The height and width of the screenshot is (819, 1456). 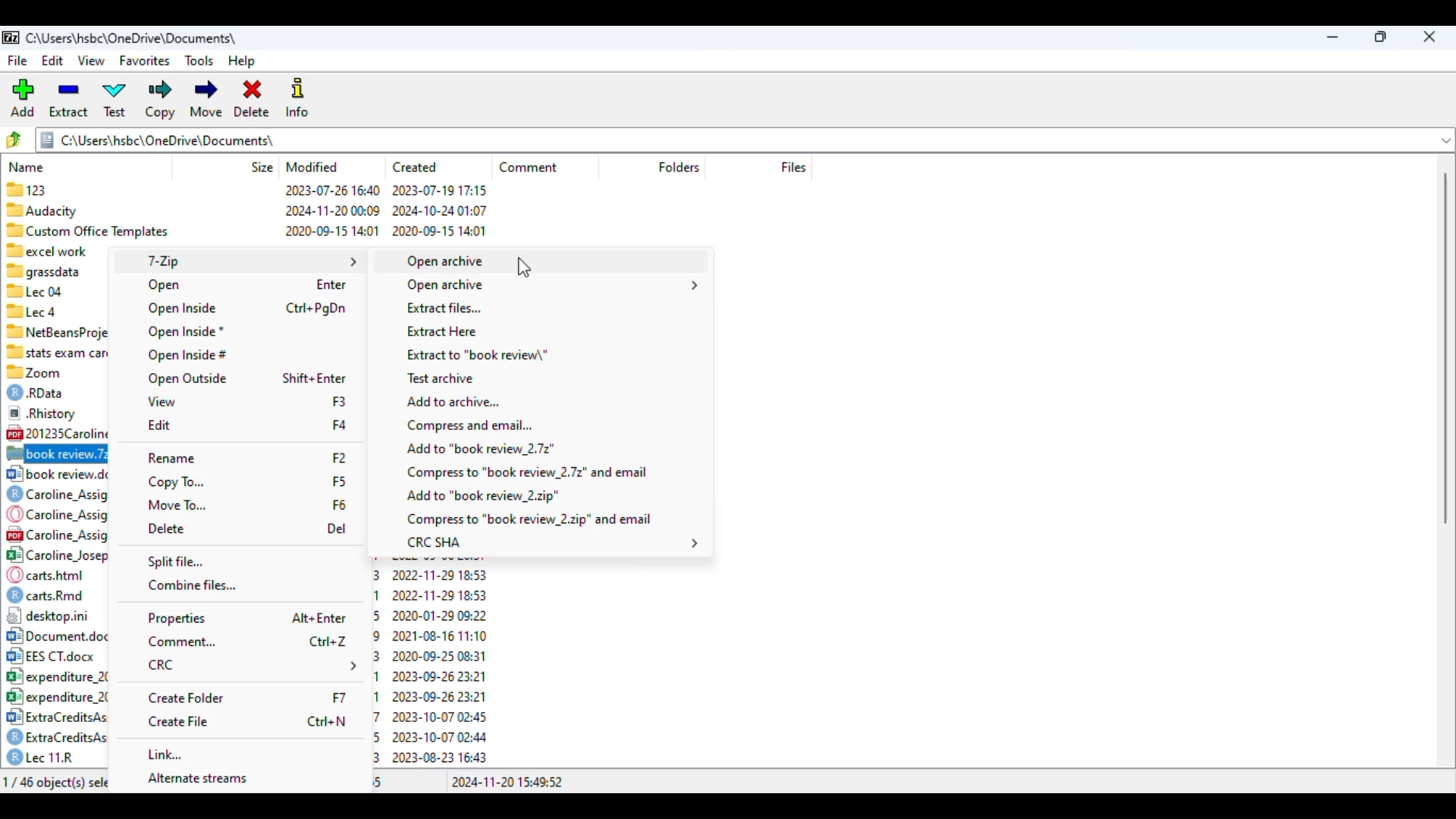 I want to click on [2] Document.docx 2859138 2021-08-16 11:09
— reueEa E Hpe0, so click(x=58, y=635).